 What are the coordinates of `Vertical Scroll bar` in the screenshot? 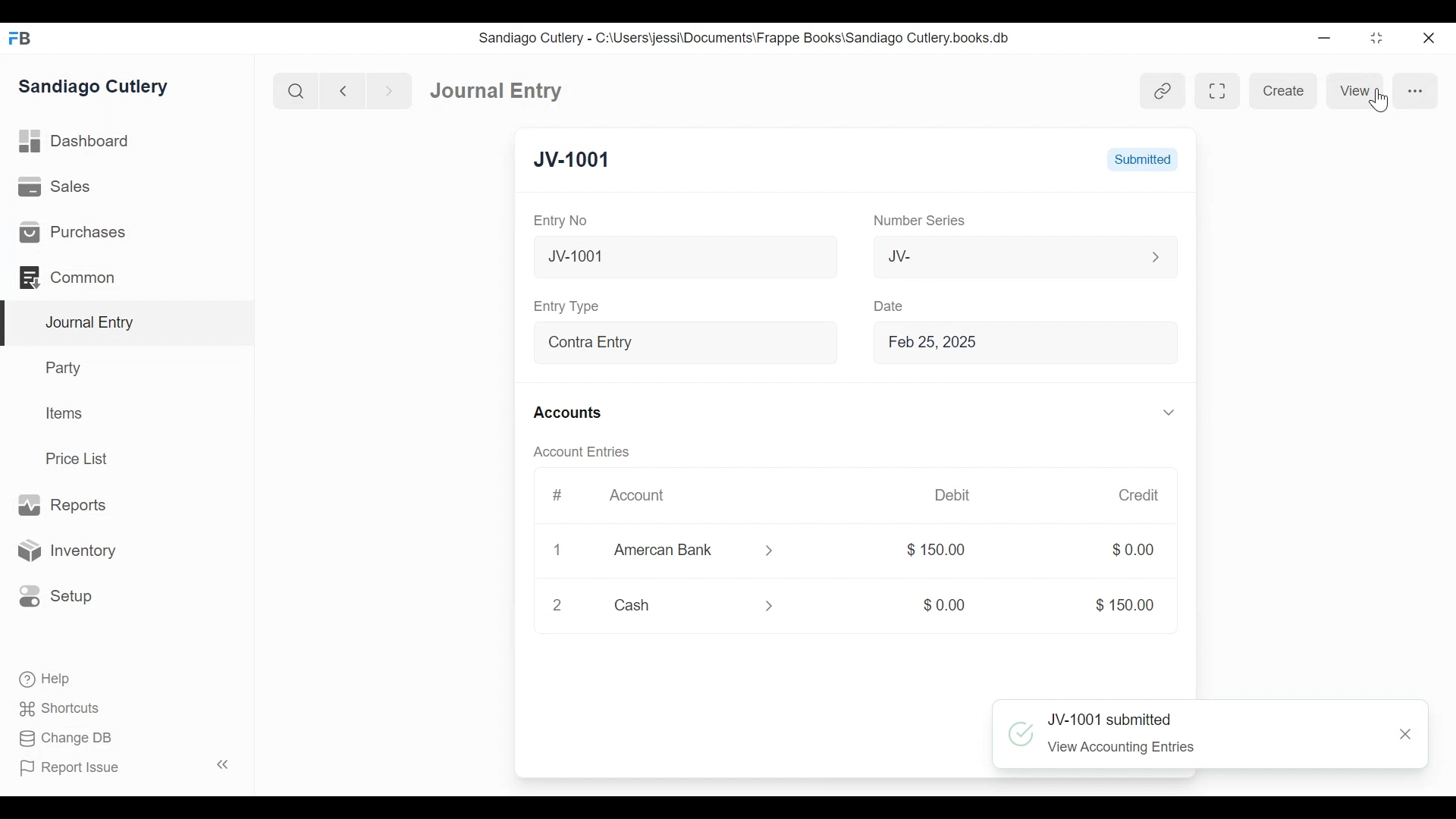 It's located at (1193, 431).